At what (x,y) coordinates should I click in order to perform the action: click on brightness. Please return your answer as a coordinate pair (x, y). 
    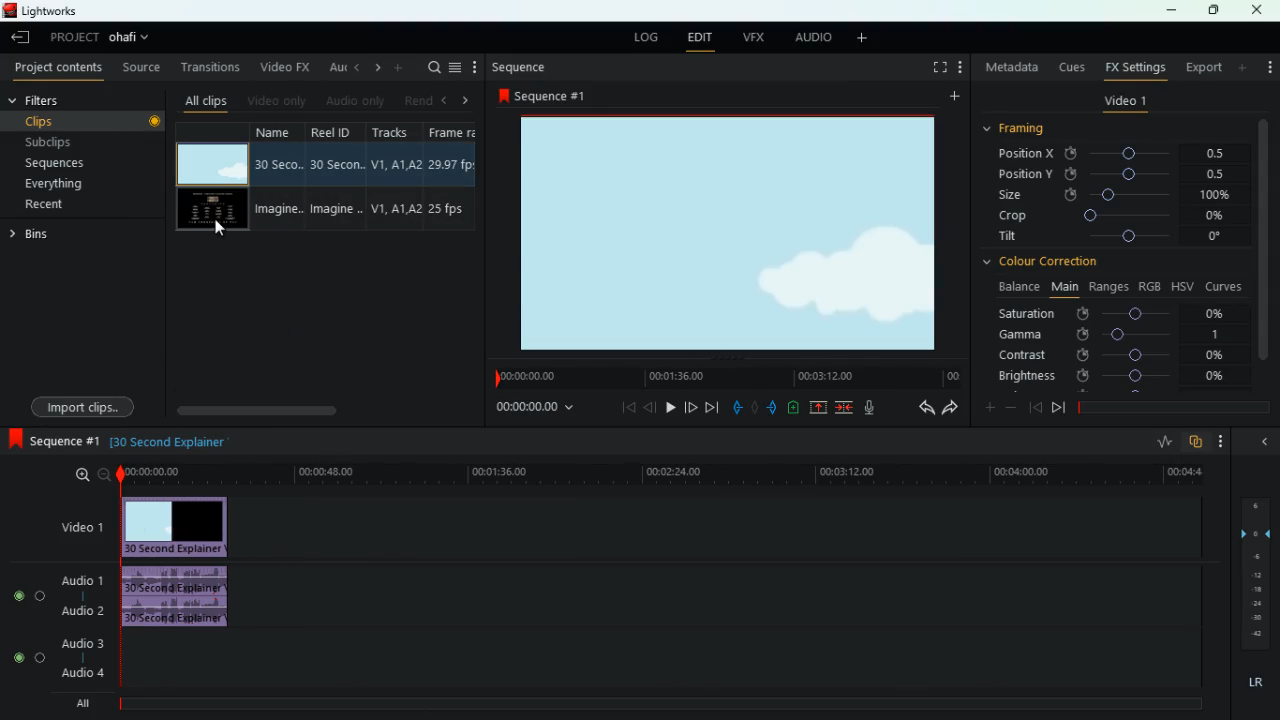
    Looking at the image, I should click on (1113, 377).